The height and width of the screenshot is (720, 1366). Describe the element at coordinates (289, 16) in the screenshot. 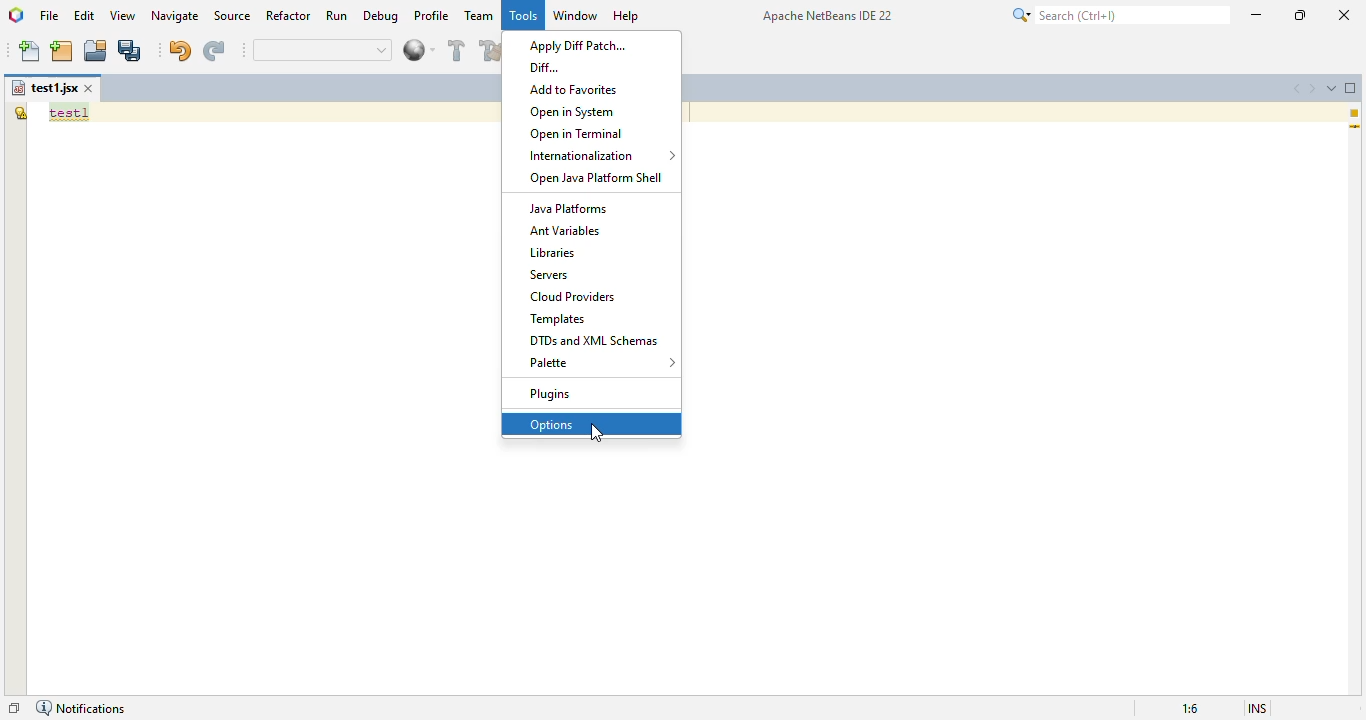

I see `refactor` at that location.